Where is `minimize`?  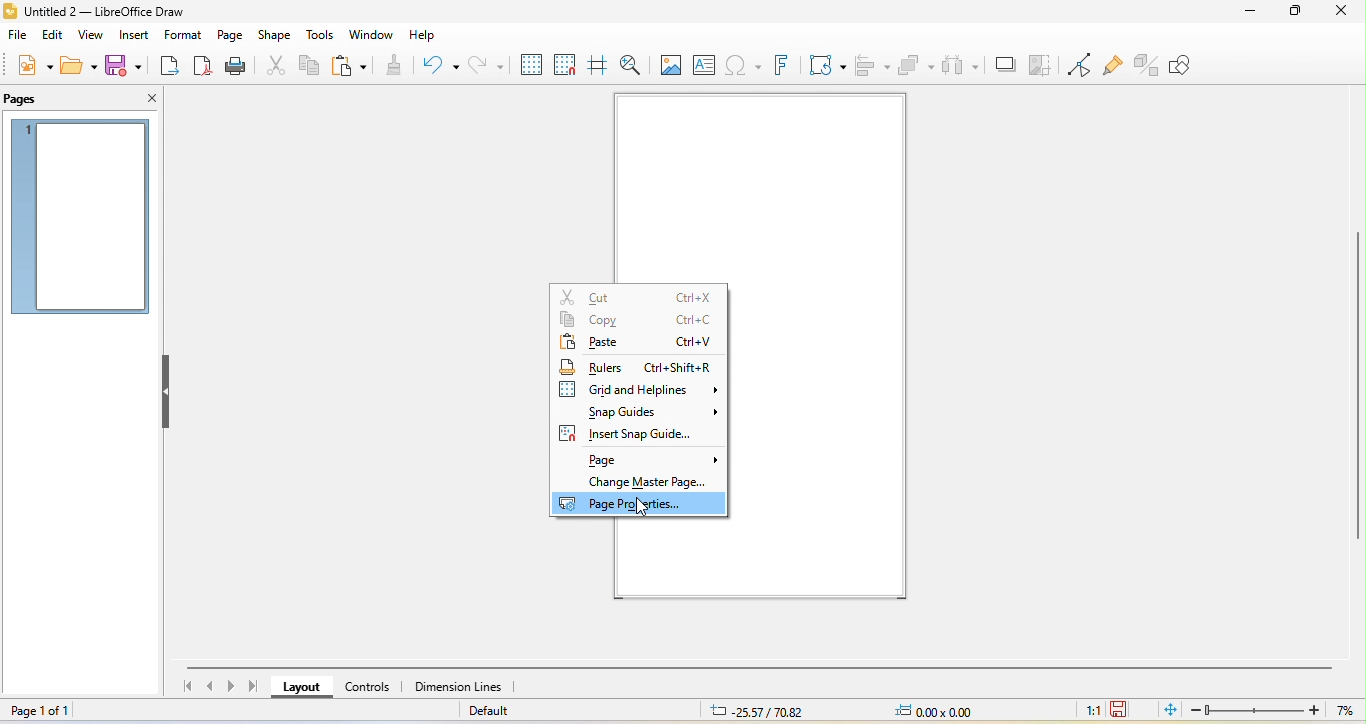 minimize is located at coordinates (1251, 10).